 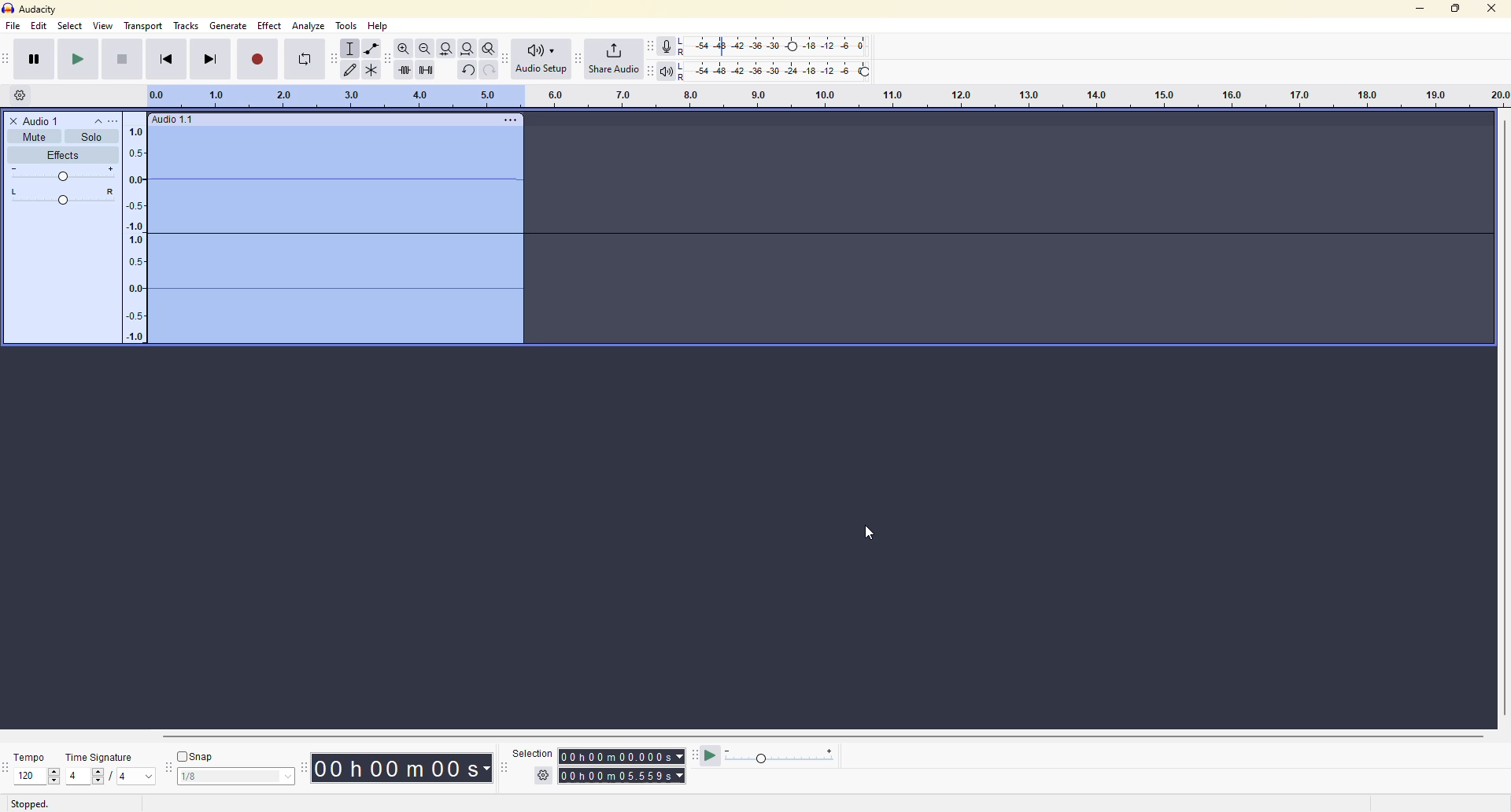 I want to click on zoom toggle, so click(x=490, y=48).